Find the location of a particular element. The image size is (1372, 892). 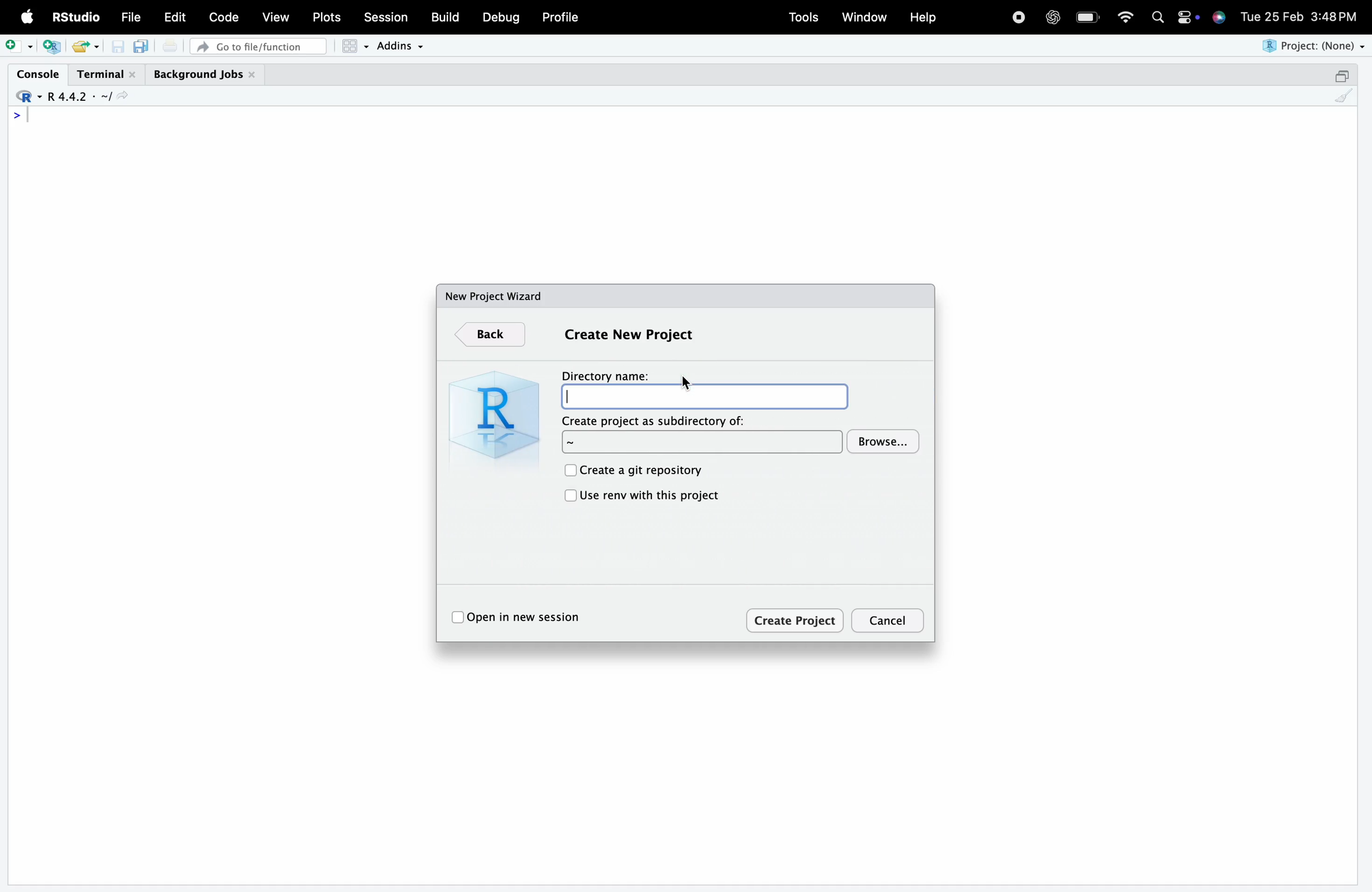

Background Jobs is located at coordinates (205, 75).